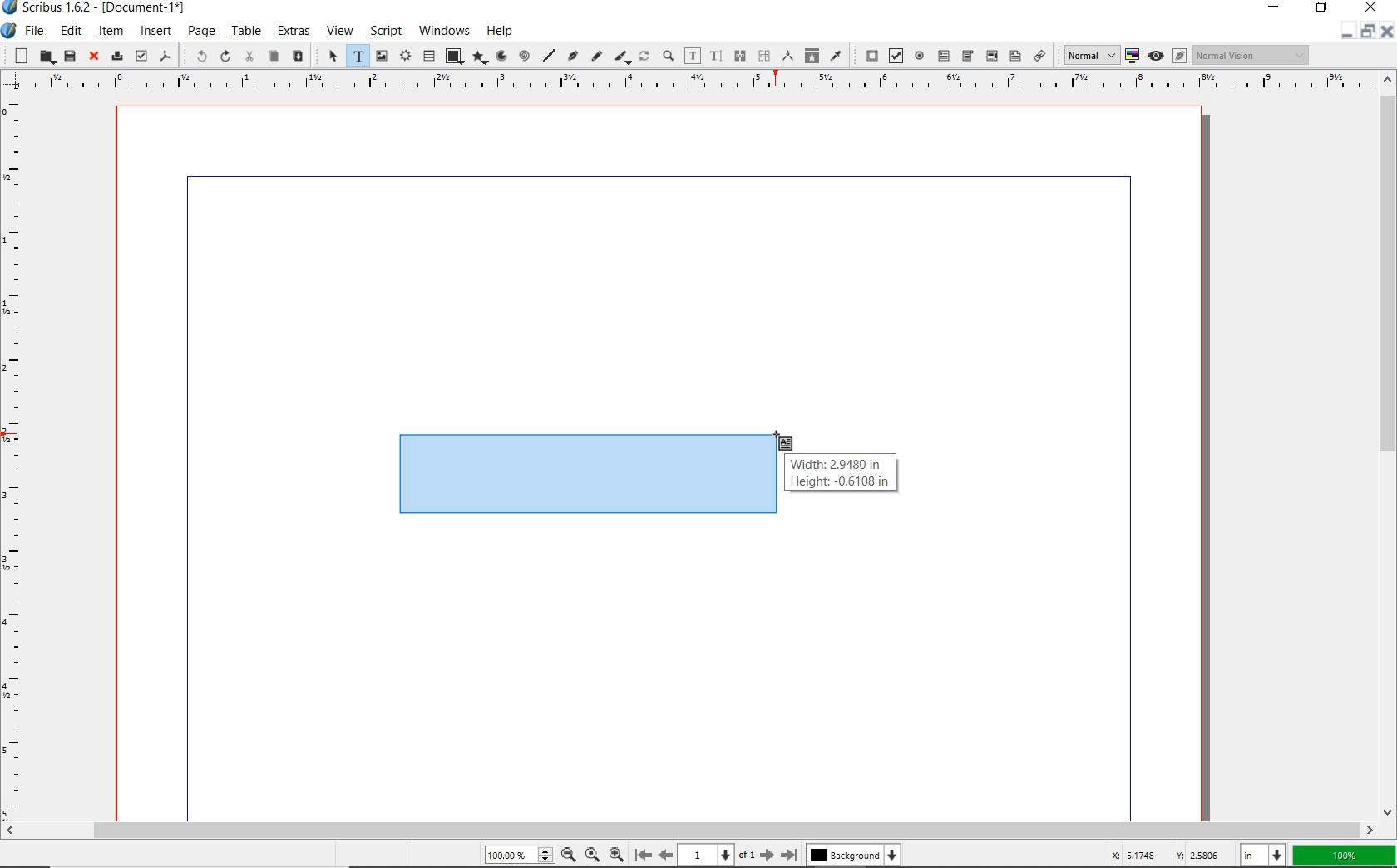 This screenshot has height=868, width=1397. Describe the element at coordinates (453, 57) in the screenshot. I see `shape` at that location.